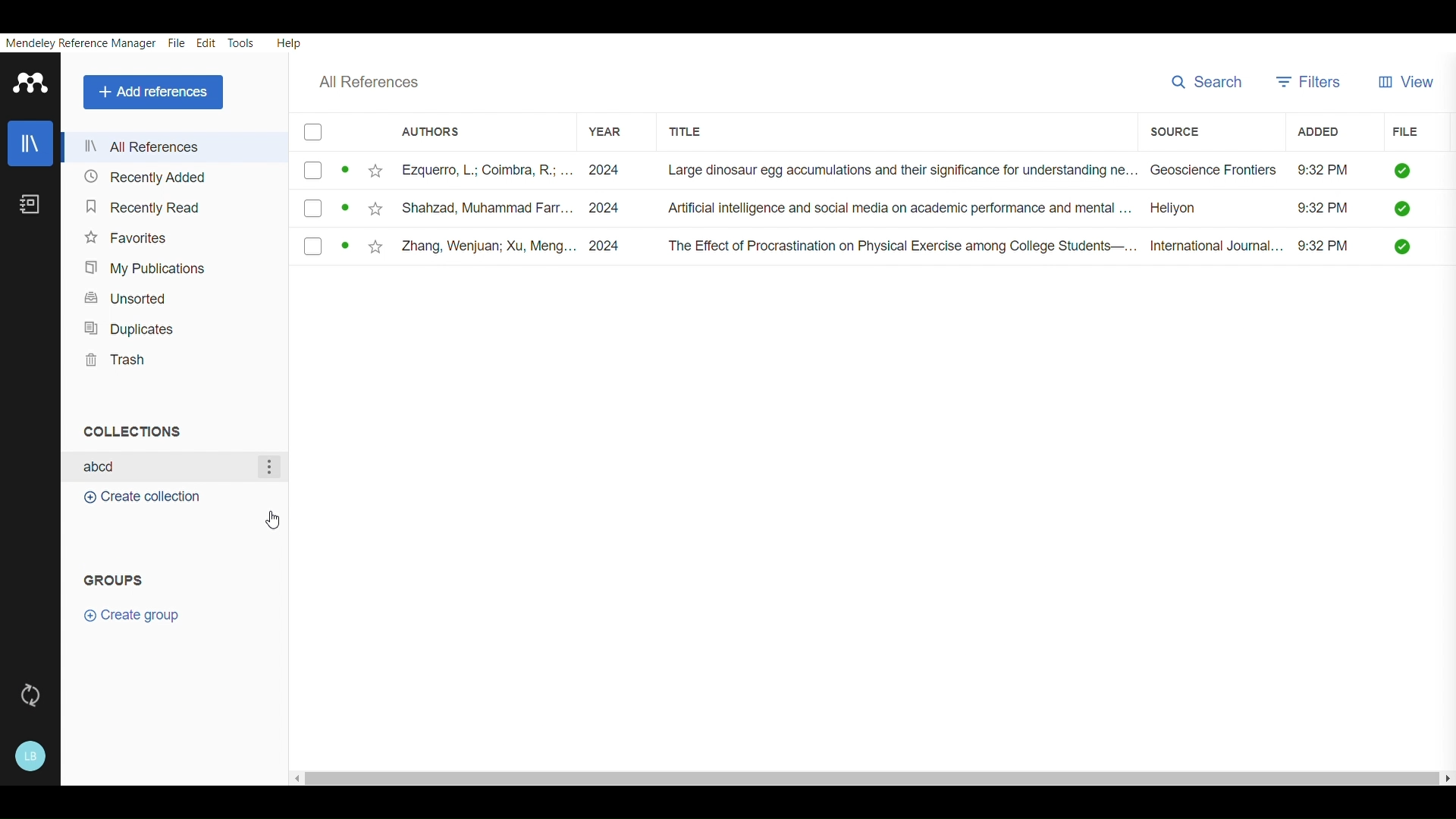 This screenshot has width=1456, height=819. I want to click on Recently Read, so click(140, 202).